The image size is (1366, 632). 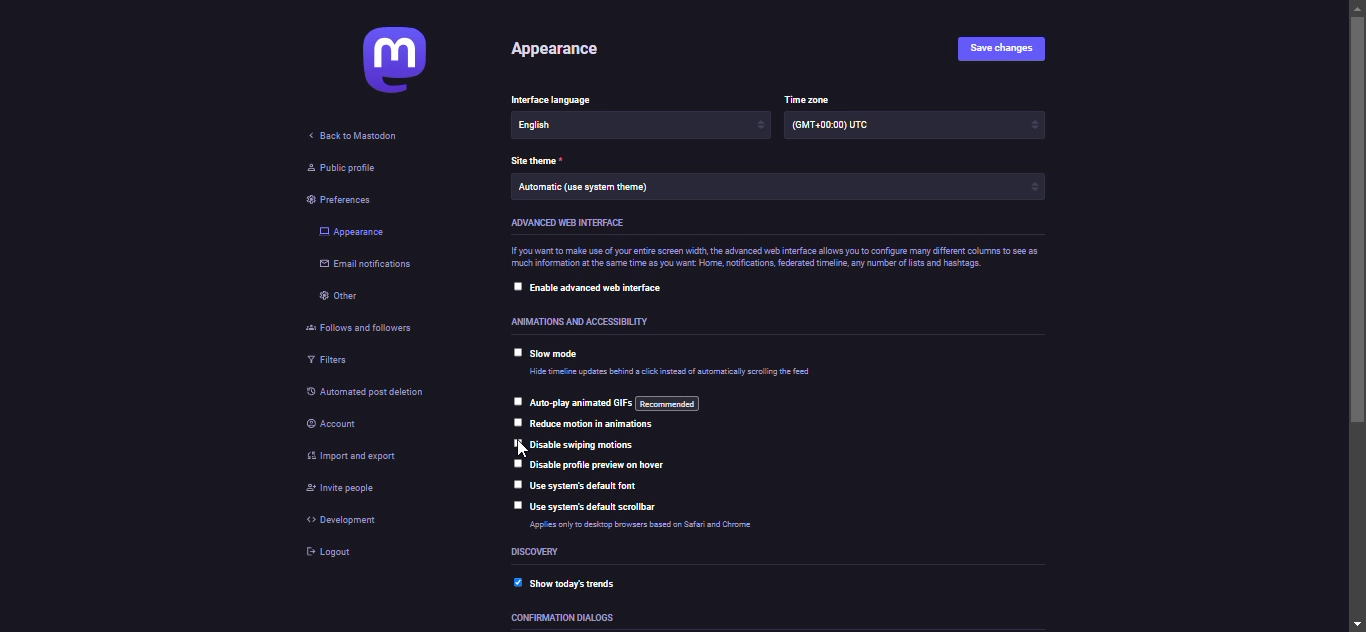 What do you see at coordinates (536, 159) in the screenshot?
I see `theme` at bounding box center [536, 159].